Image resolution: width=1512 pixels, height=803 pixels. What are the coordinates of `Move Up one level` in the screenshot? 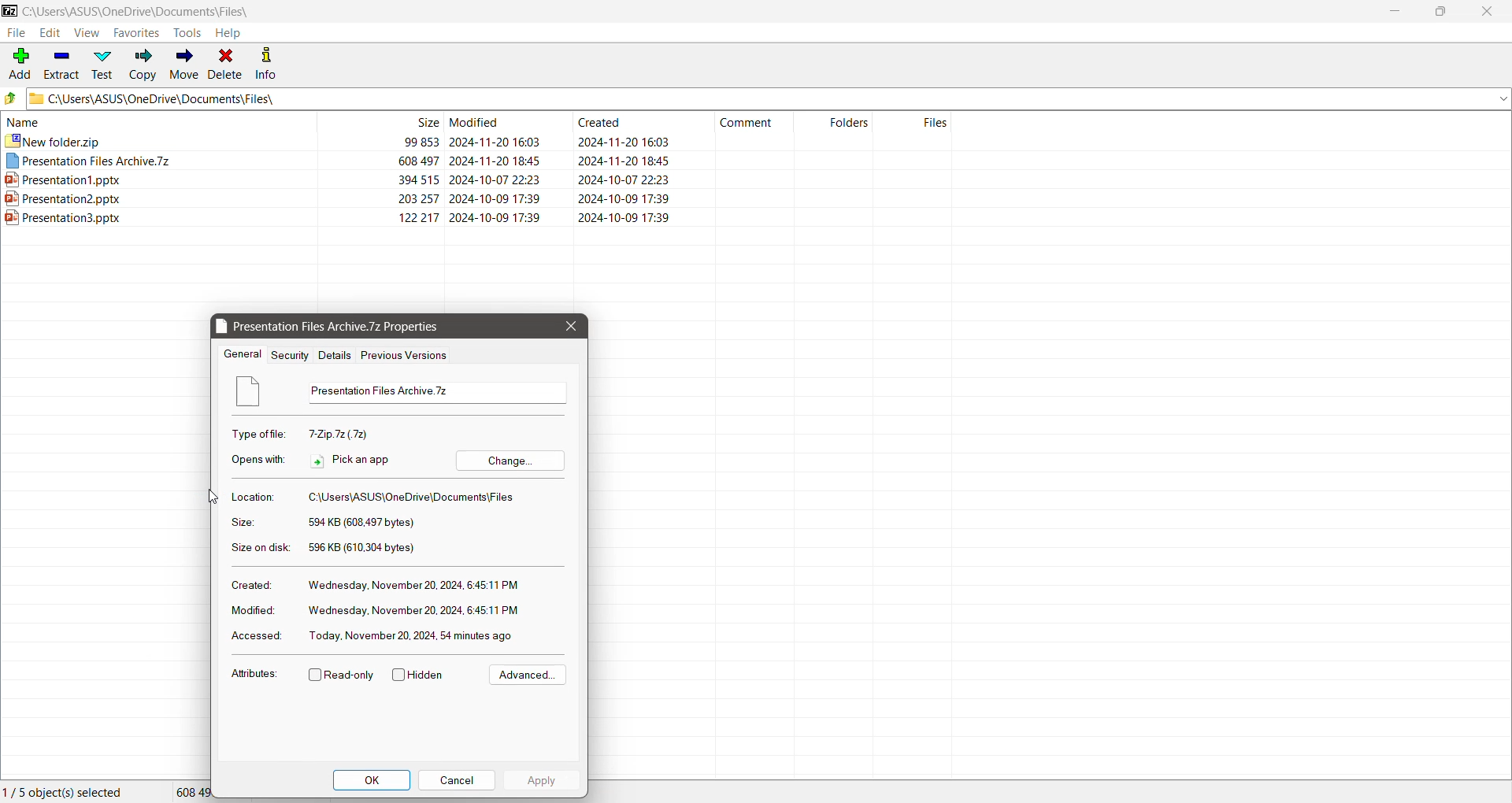 It's located at (13, 98).